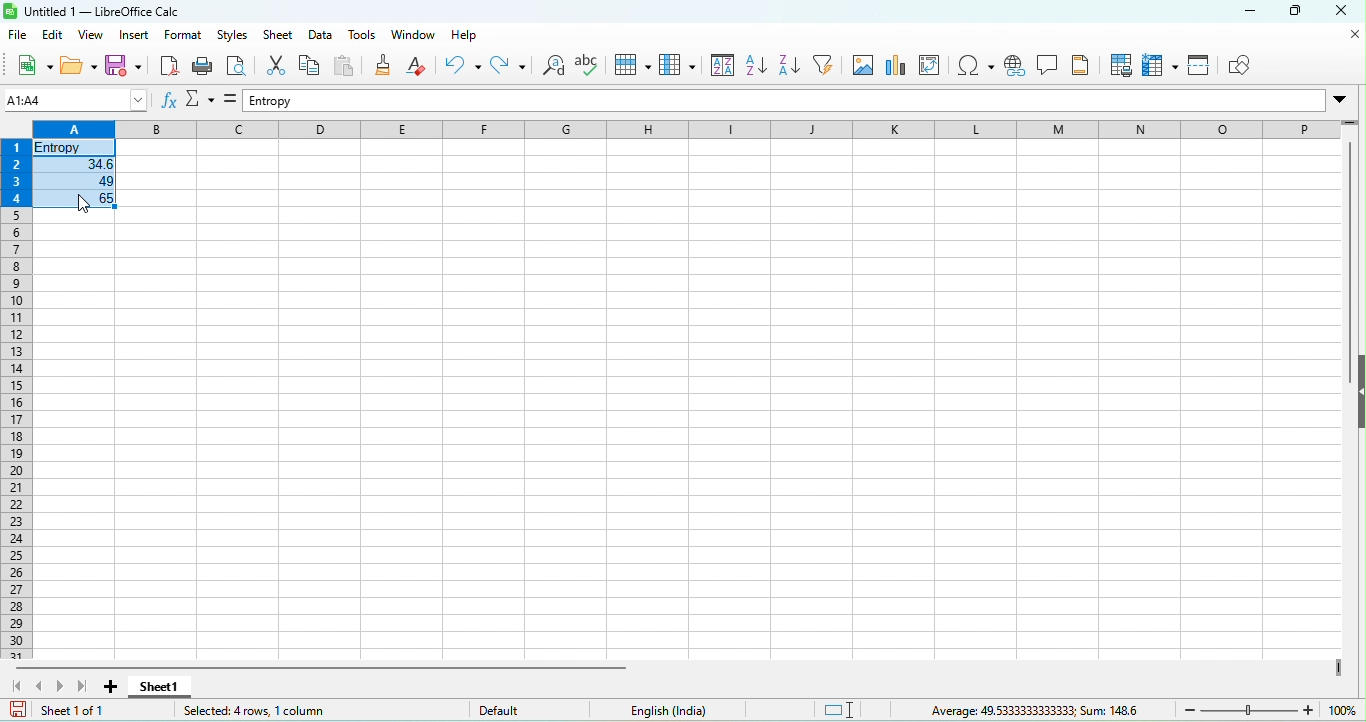  Describe the element at coordinates (126, 67) in the screenshot. I see `save` at that location.